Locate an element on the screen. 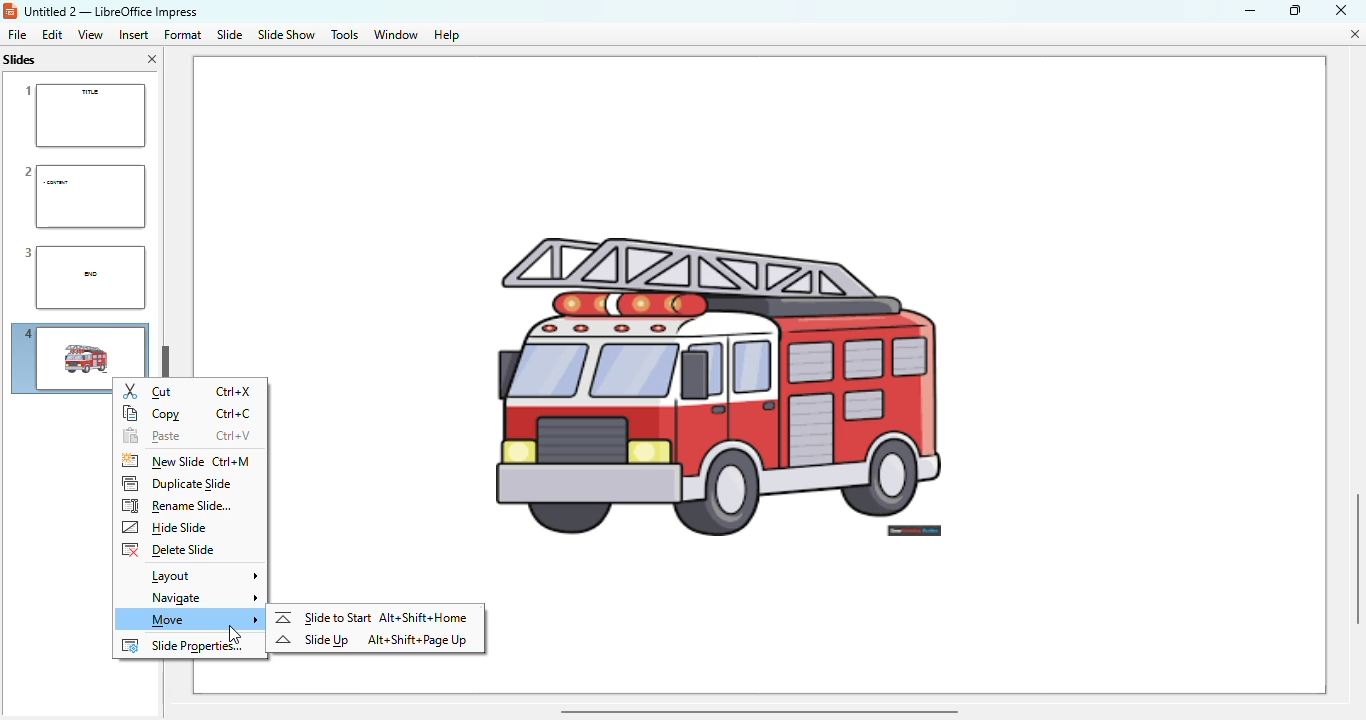 The width and height of the screenshot is (1366, 720). shortcut for new slide is located at coordinates (232, 462).